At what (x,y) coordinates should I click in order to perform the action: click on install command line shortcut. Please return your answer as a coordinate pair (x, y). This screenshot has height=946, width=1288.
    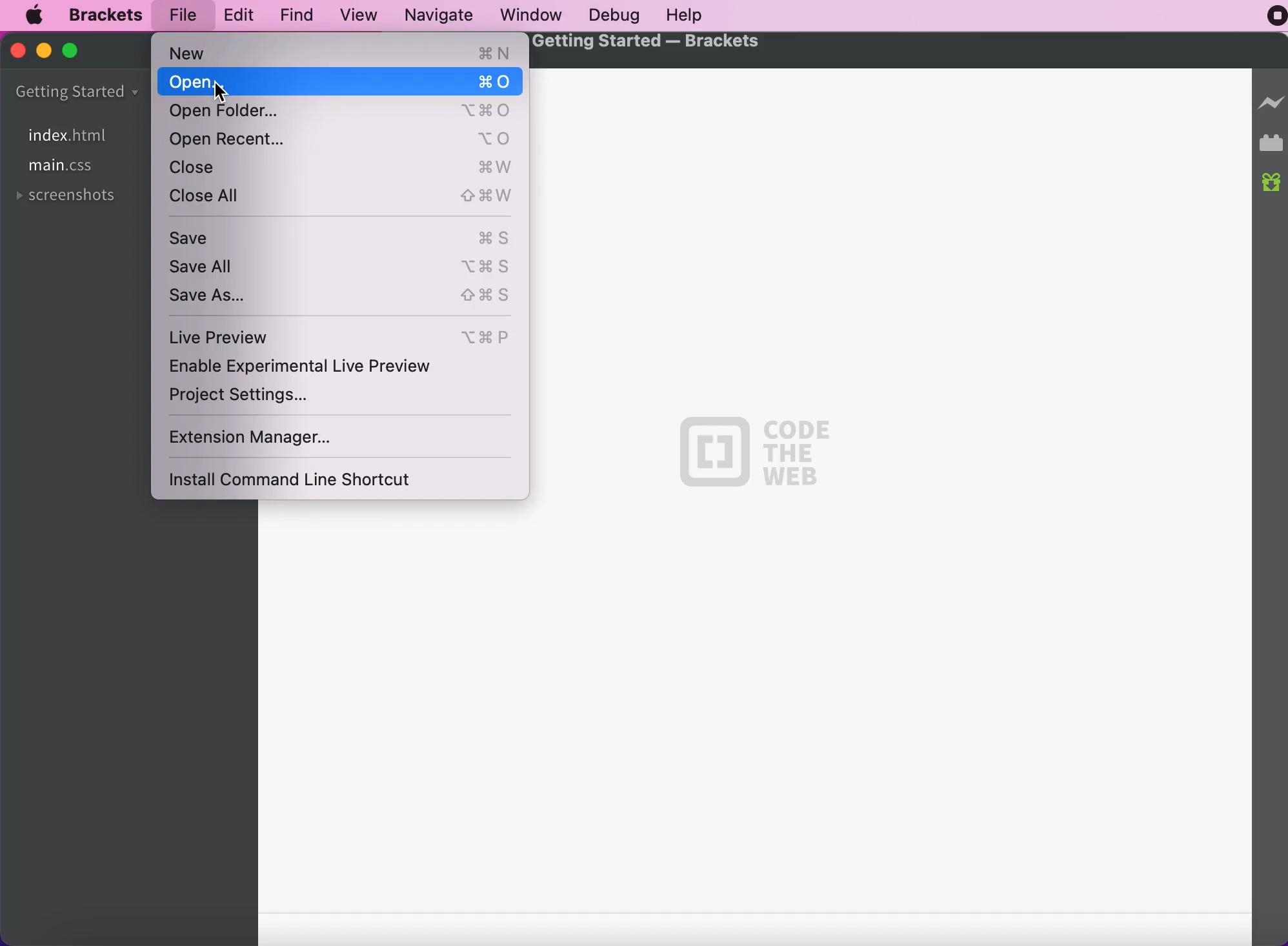
    Looking at the image, I should click on (298, 479).